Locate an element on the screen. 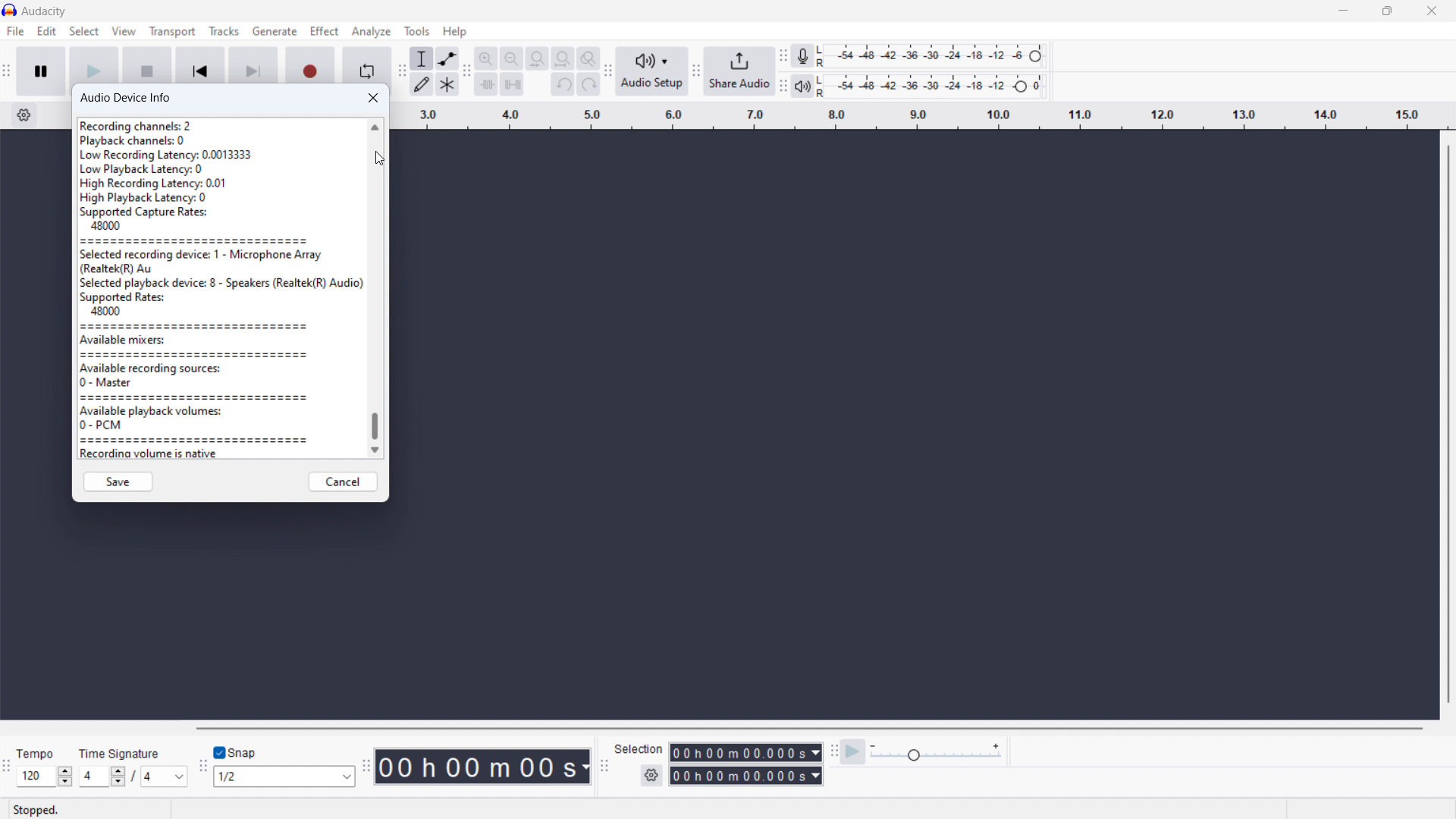  maximize is located at coordinates (1385, 11).